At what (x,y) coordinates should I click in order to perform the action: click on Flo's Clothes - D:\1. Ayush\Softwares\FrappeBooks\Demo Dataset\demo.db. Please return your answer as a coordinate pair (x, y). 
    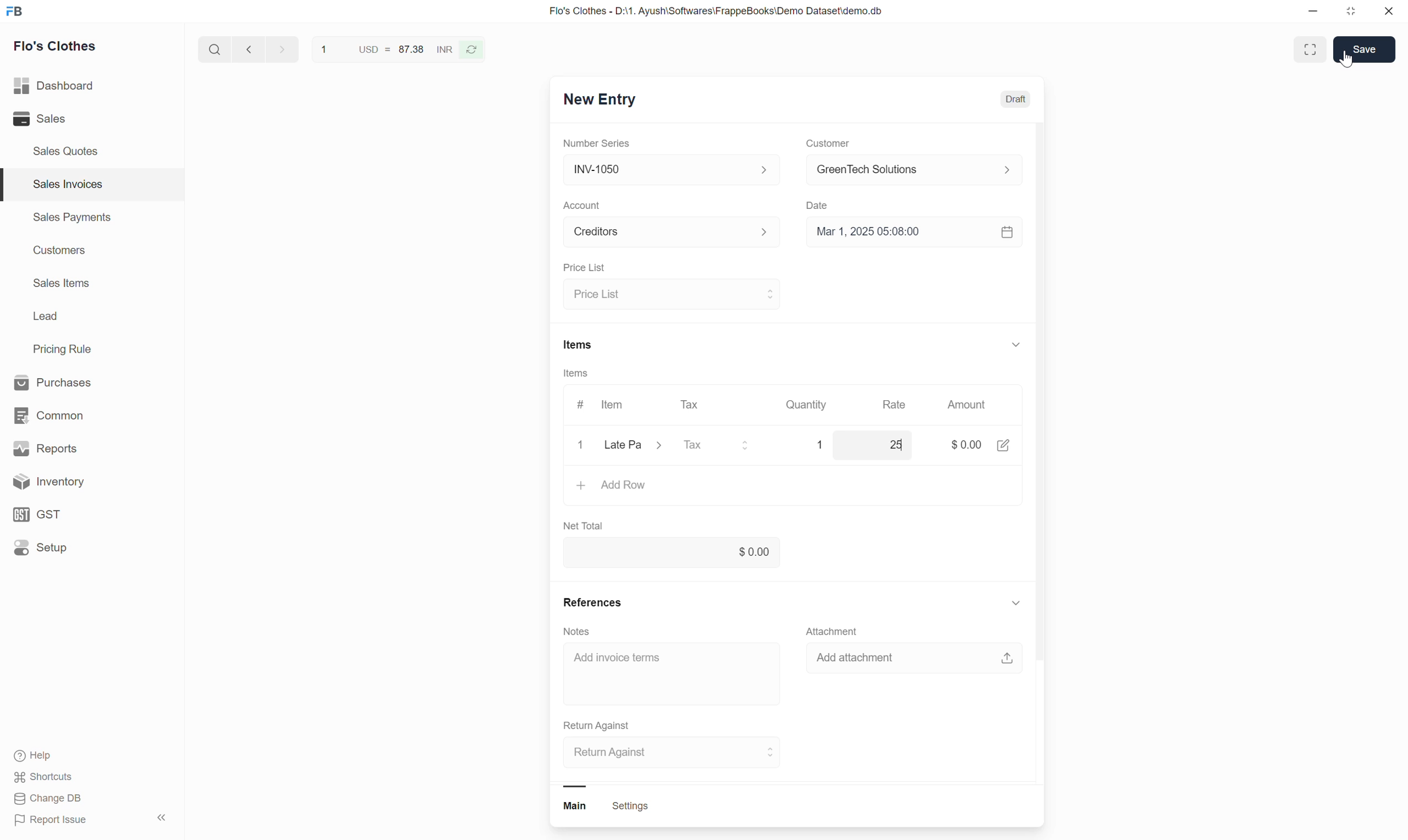
    Looking at the image, I should click on (726, 12).